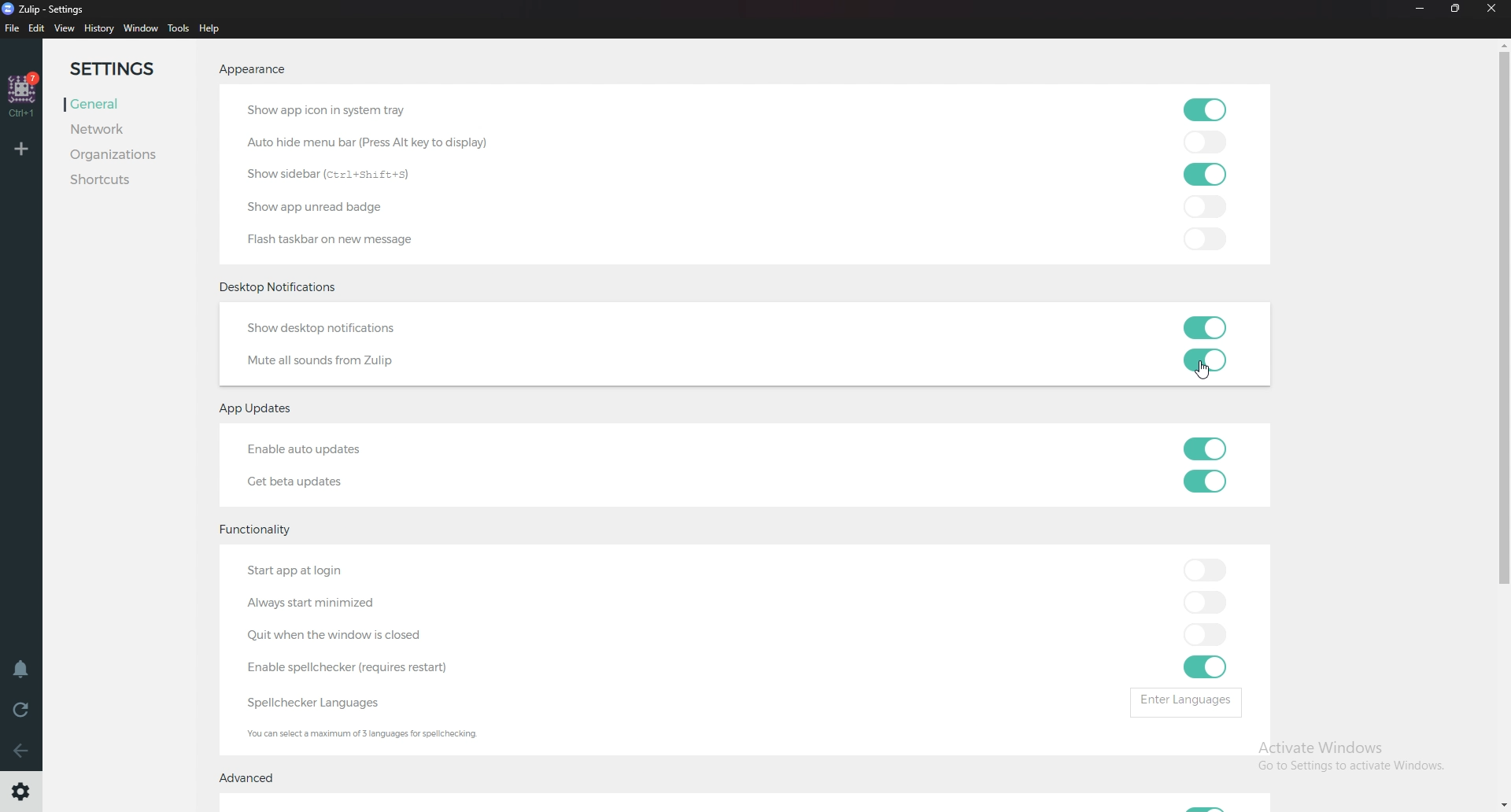 This screenshot has height=812, width=1511. Describe the element at coordinates (91, 105) in the screenshot. I see `General` at that location.